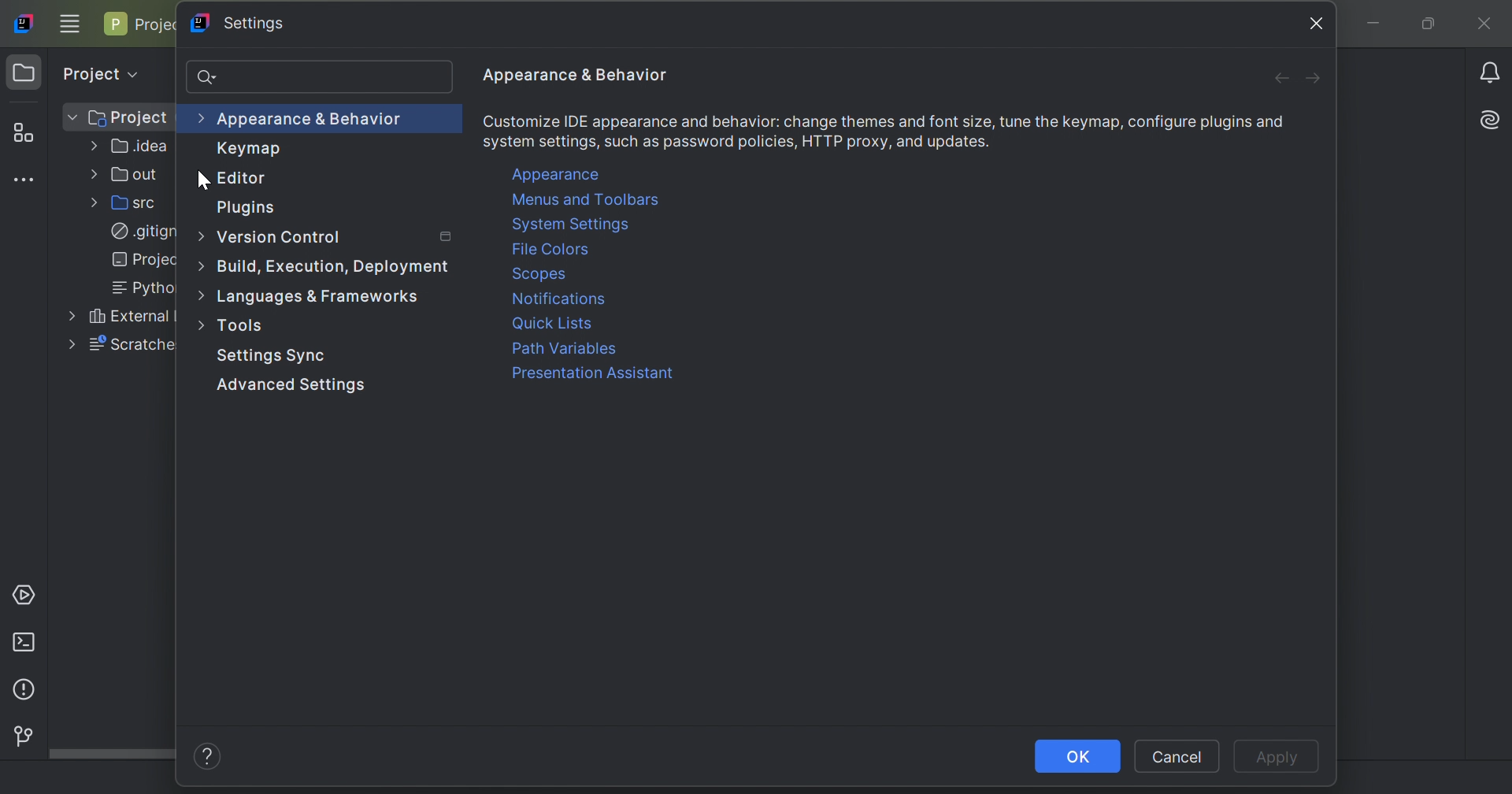 The width and height of the screenshot is (1512, 794). I want to click on Structure, so click(24, 134).